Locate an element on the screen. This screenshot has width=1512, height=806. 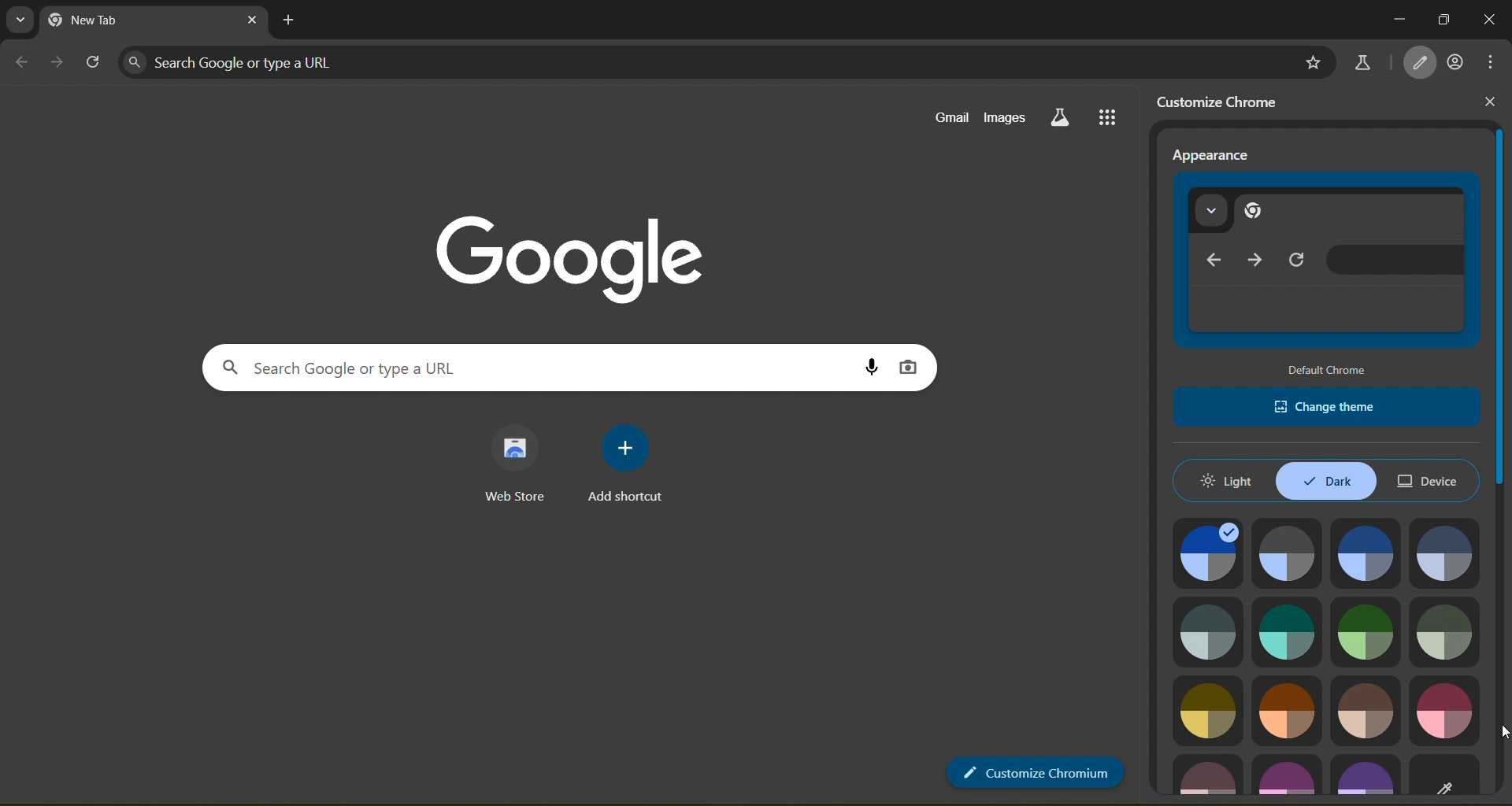
Google is located at coordinates (563, 246).